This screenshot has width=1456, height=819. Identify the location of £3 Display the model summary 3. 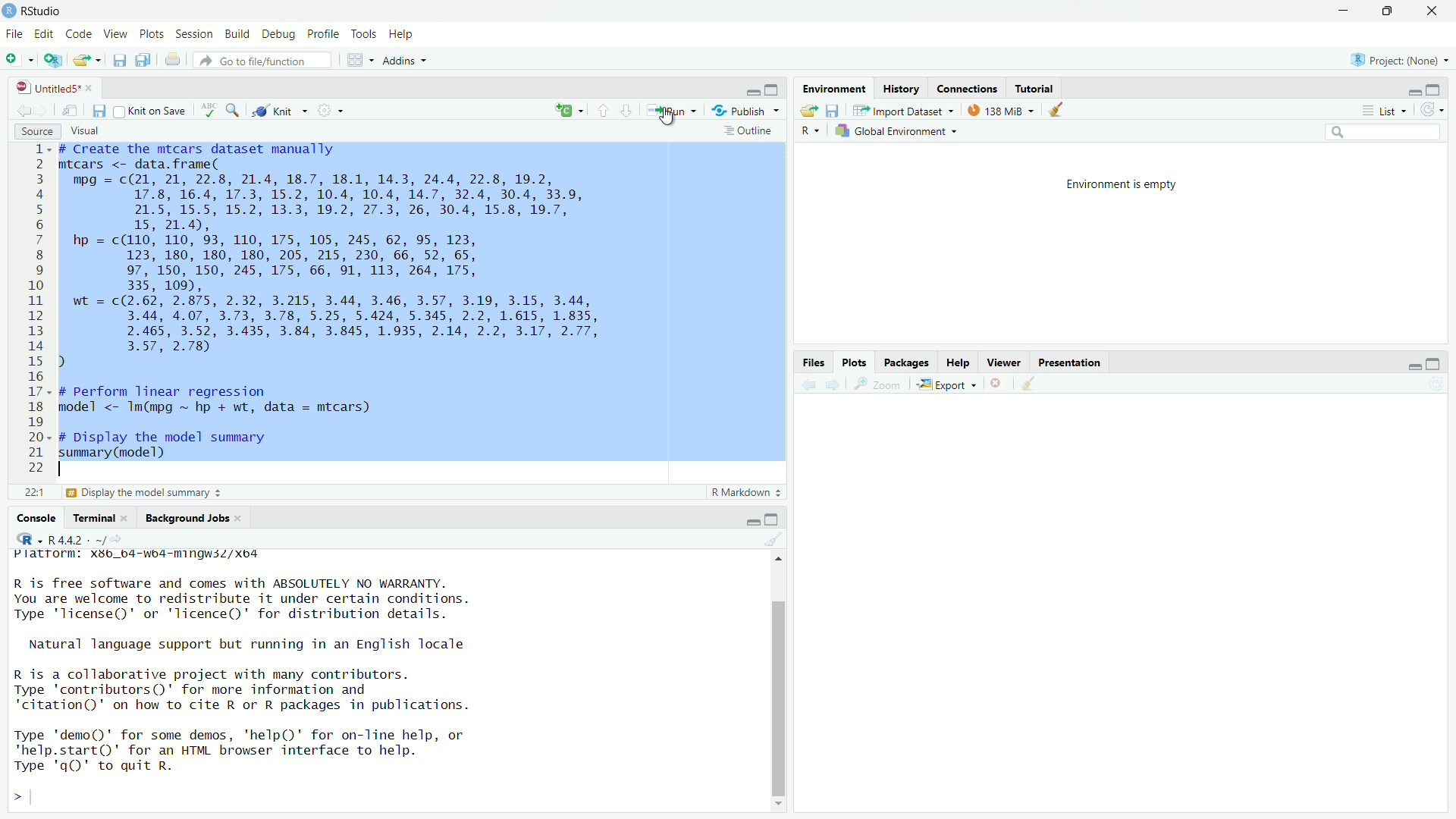
(142, 494).